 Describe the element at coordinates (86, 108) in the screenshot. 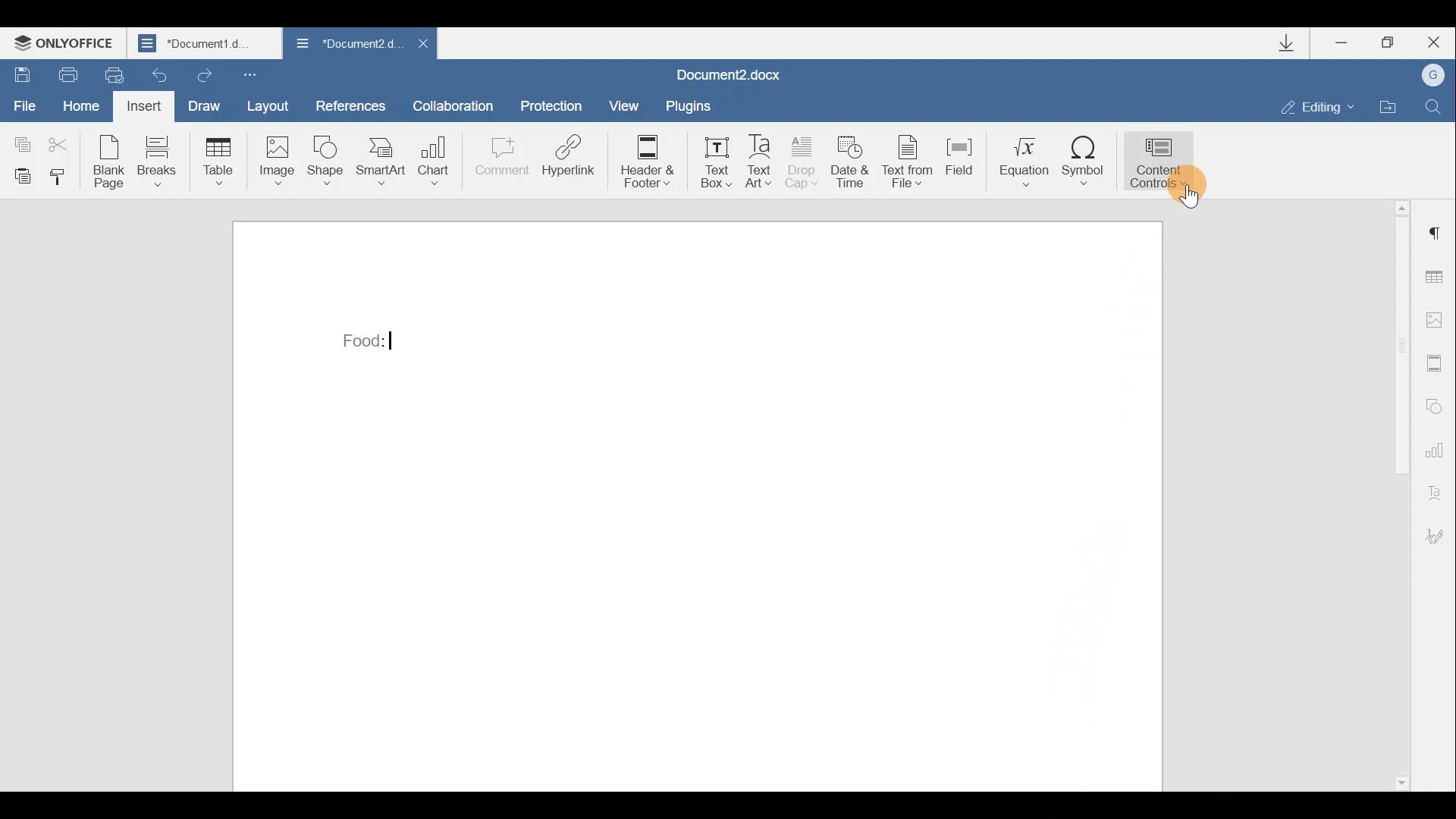

I see `Home` at that location.